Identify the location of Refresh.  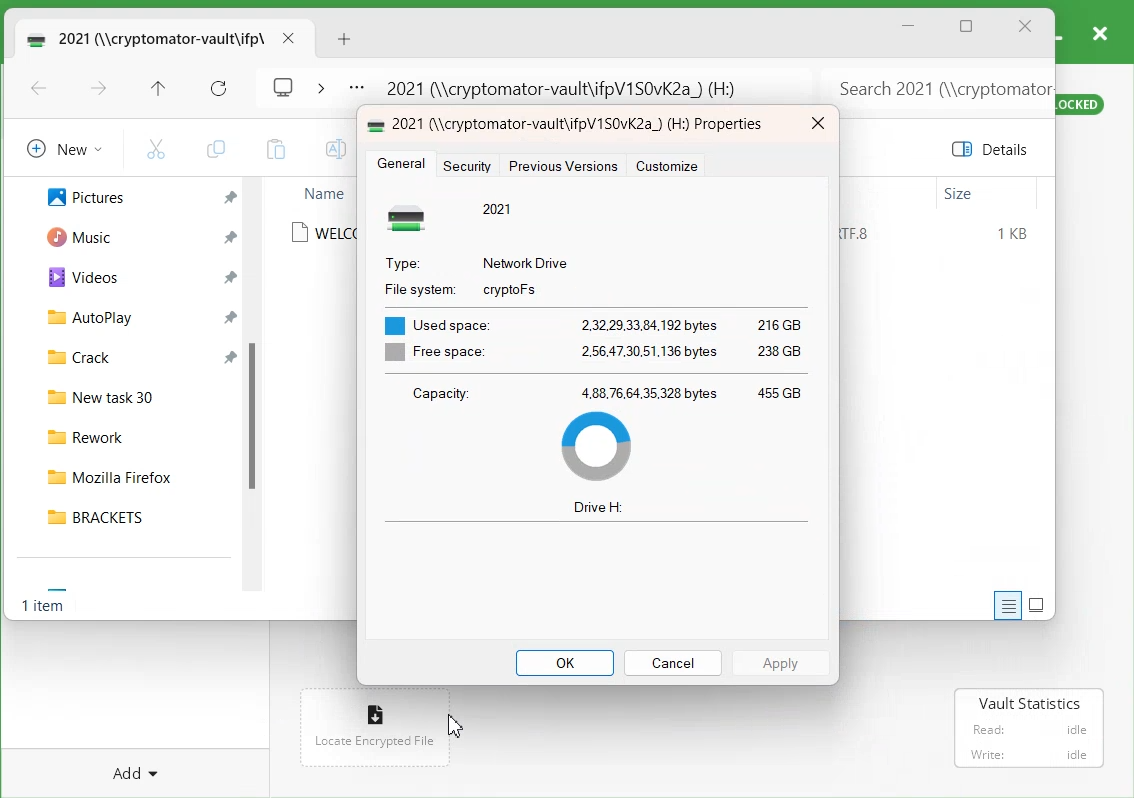
(219, 89).